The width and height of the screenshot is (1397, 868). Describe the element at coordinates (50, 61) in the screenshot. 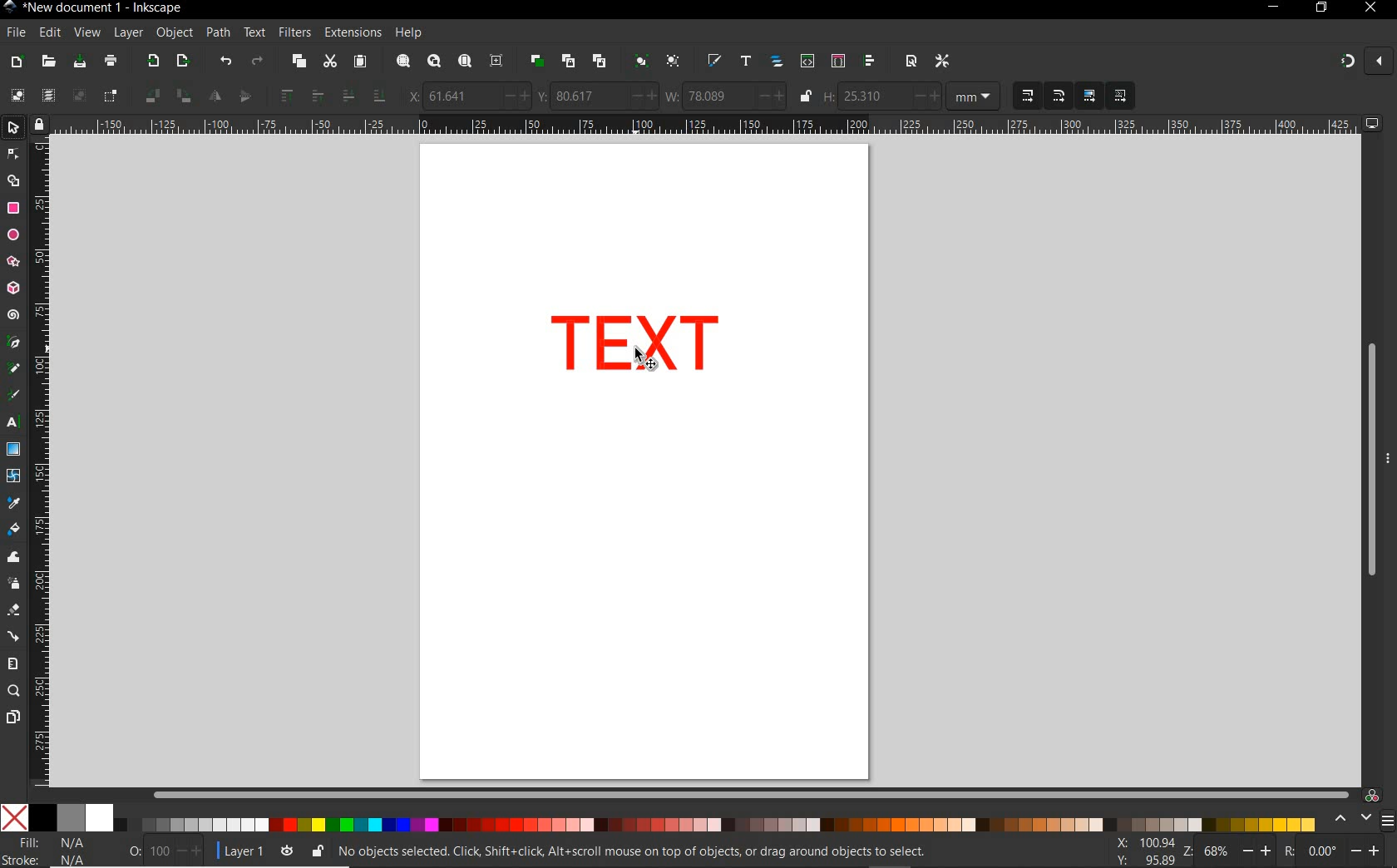

I see `open file dialog` at that location.